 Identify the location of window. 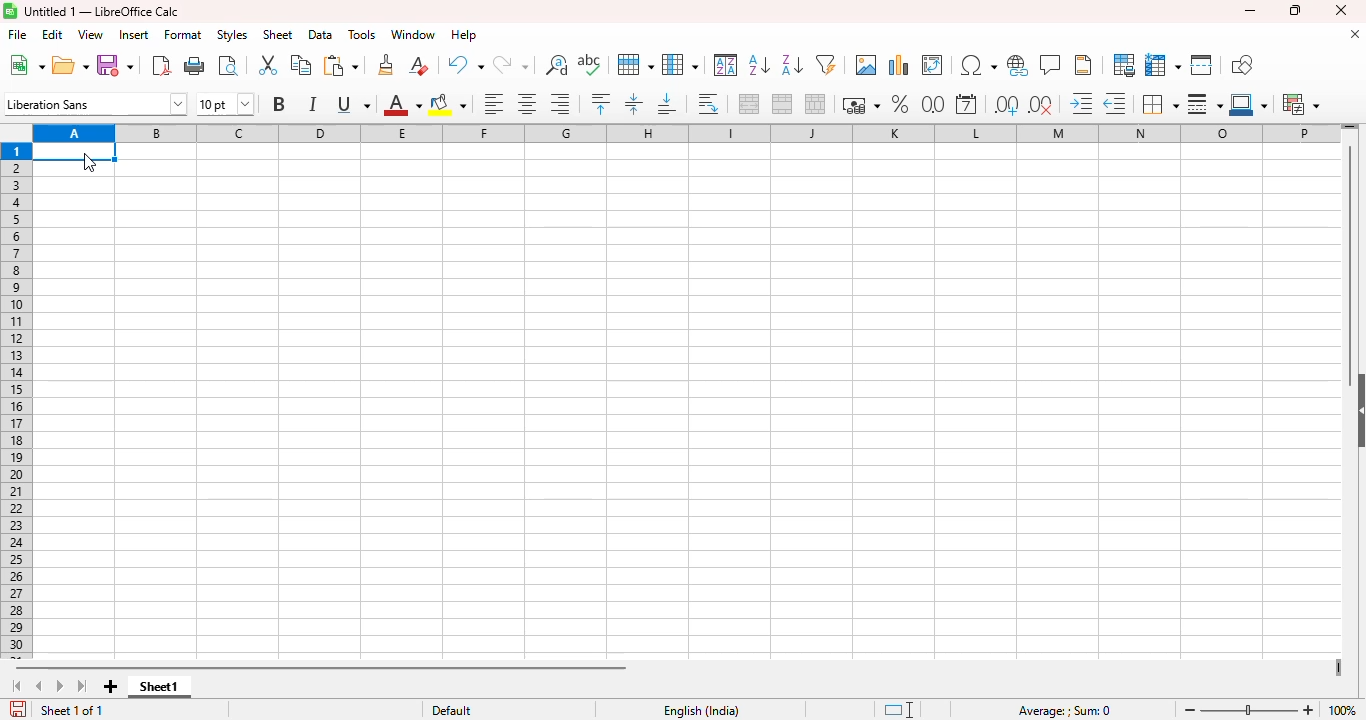
(414, 34).